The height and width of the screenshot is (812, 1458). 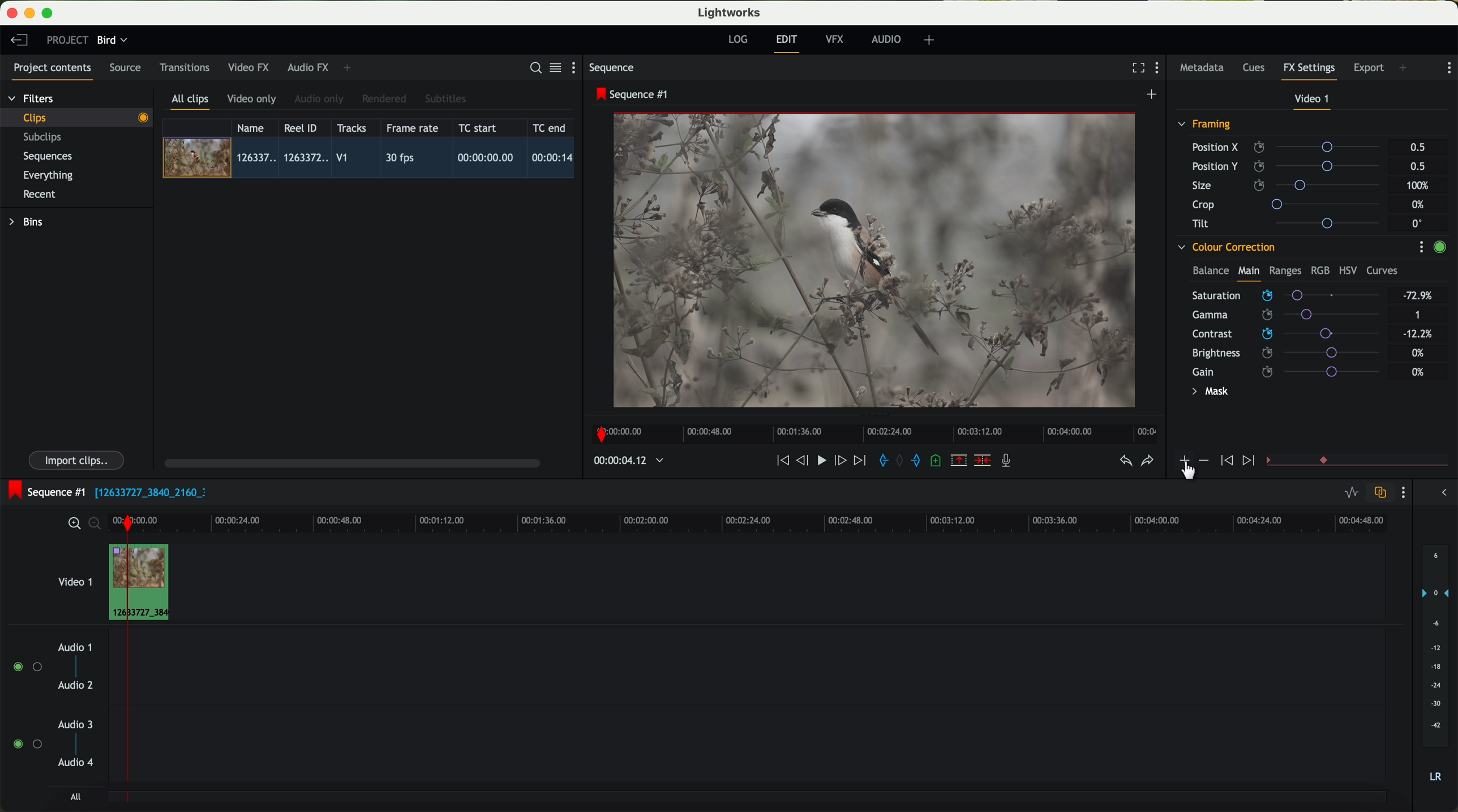 What do you see at coordinates (960, 461) in the screenshot?
I see `remove the marked section` at bounding box center [960, 461].